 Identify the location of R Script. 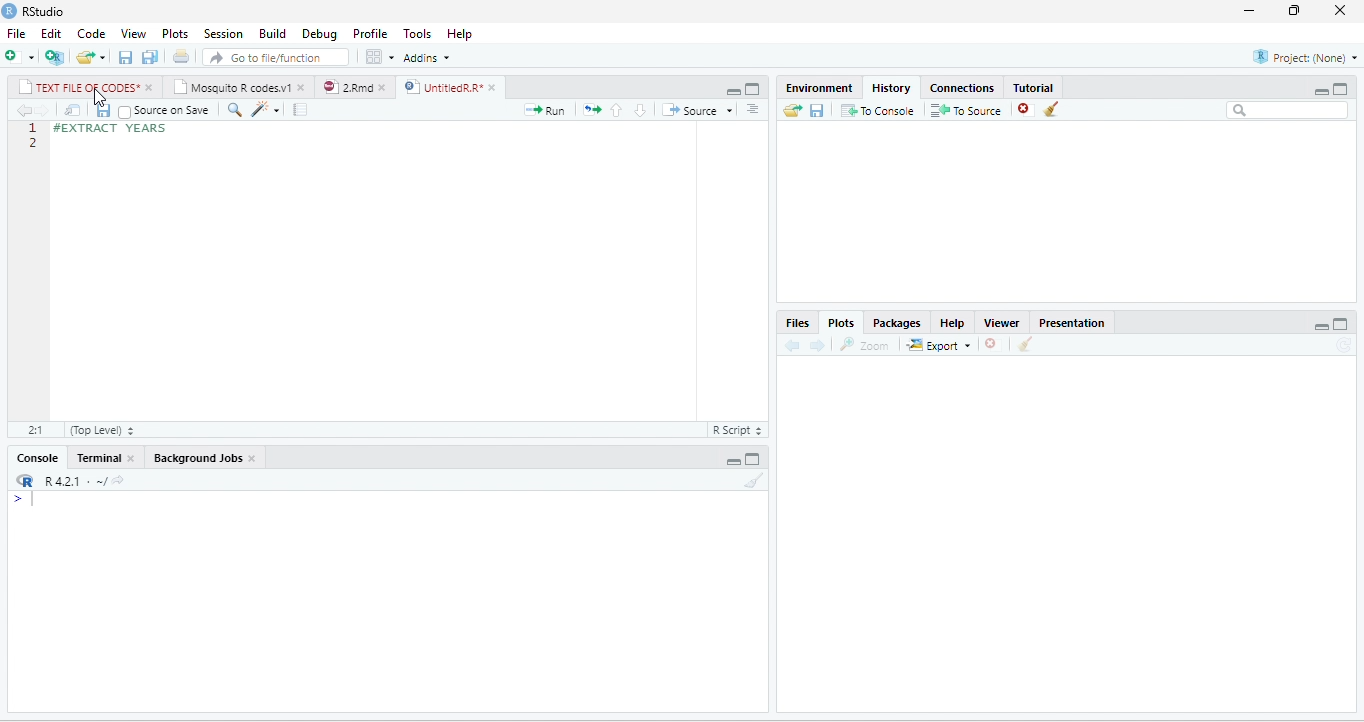
(736, 429).